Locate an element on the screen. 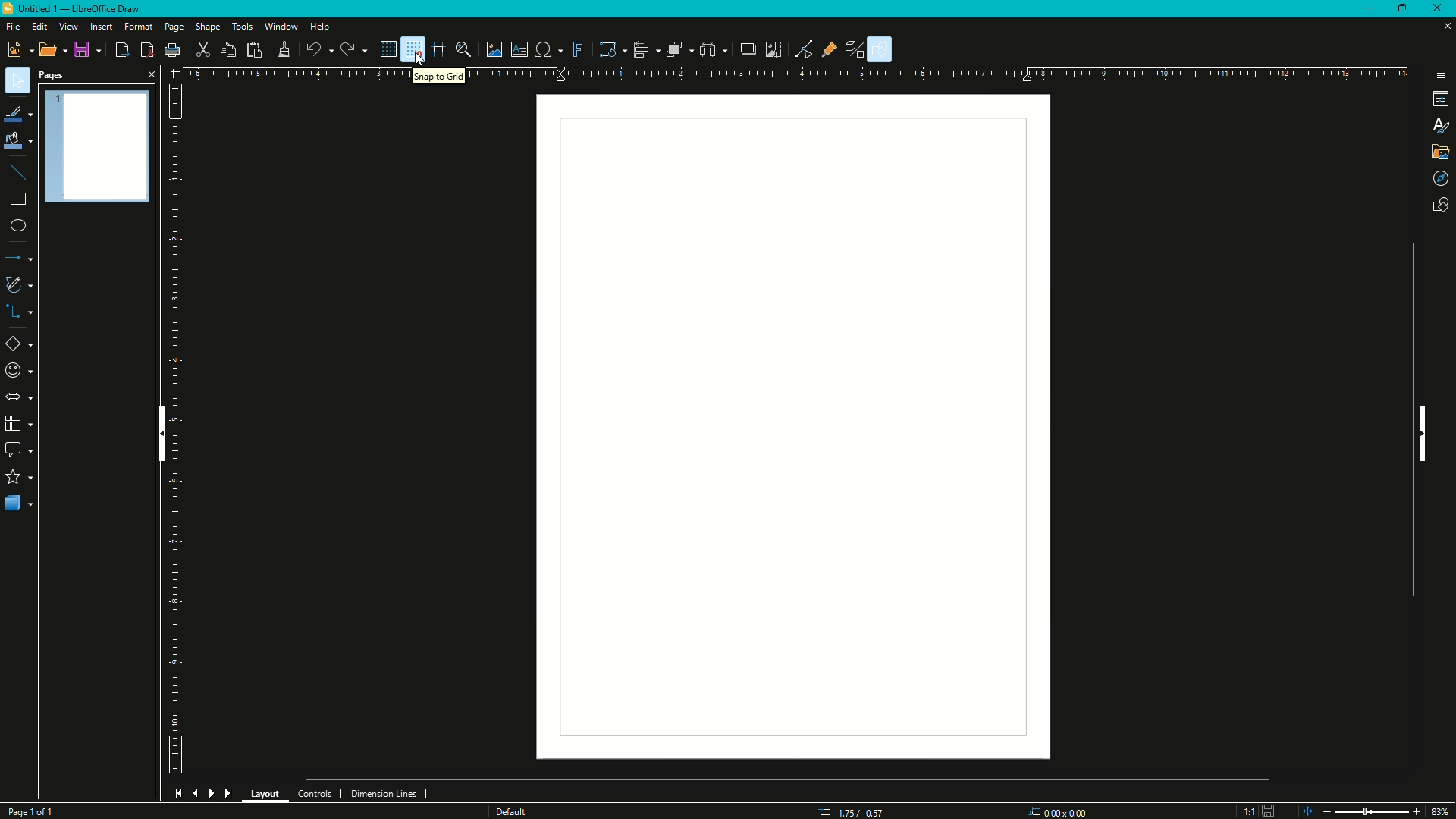 Image resolution: width=1456 pixels, height=819 pixels.  is located at coordinates (517, 811).